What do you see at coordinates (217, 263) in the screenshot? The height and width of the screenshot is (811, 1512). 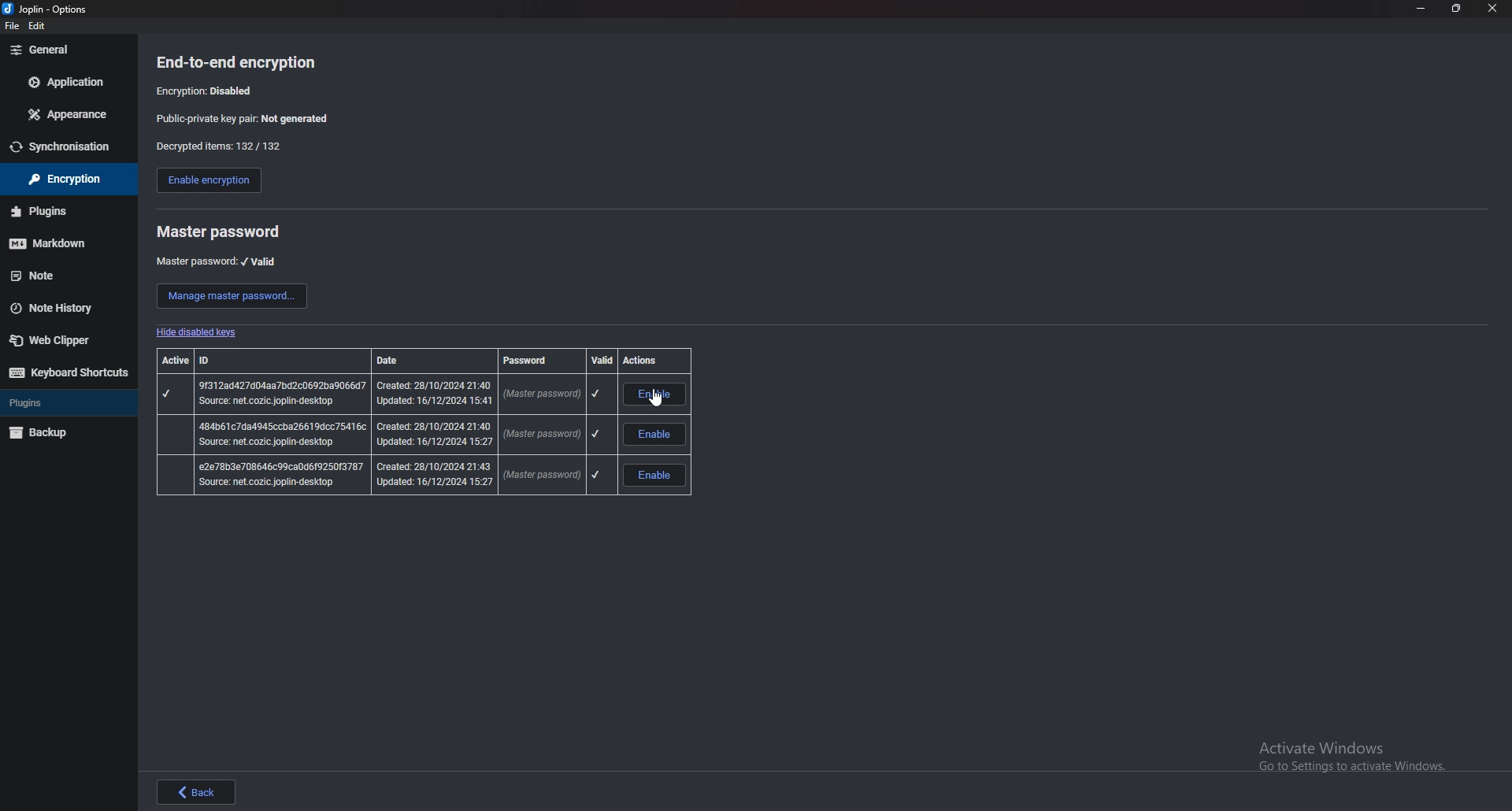 I see `master password` at bounding box center [217, 263].